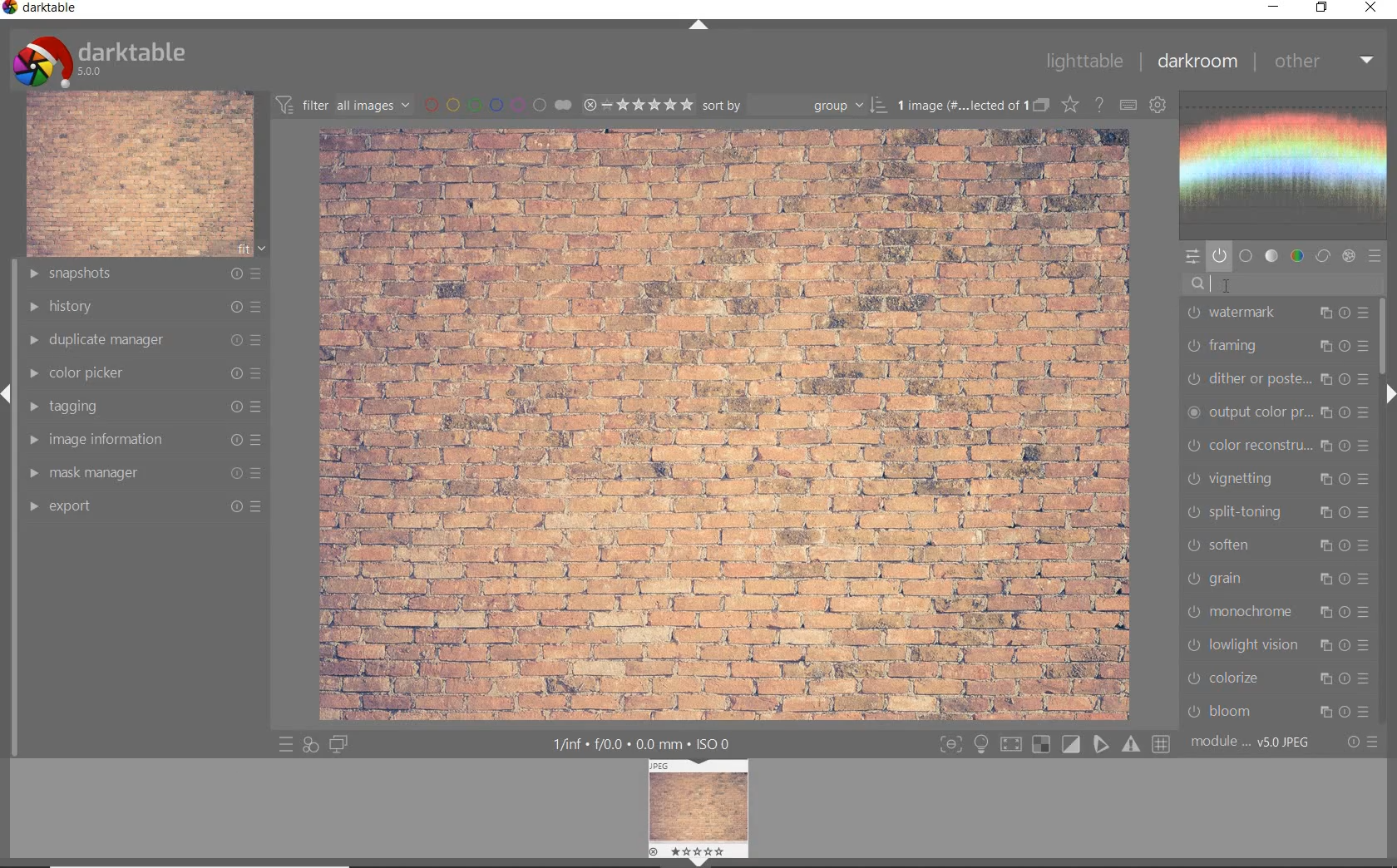 The width and height of the screenshot is (1397, 868). Describe the element at coordinates (343, 103) in the screenshot. I see `filter all images` at that location.